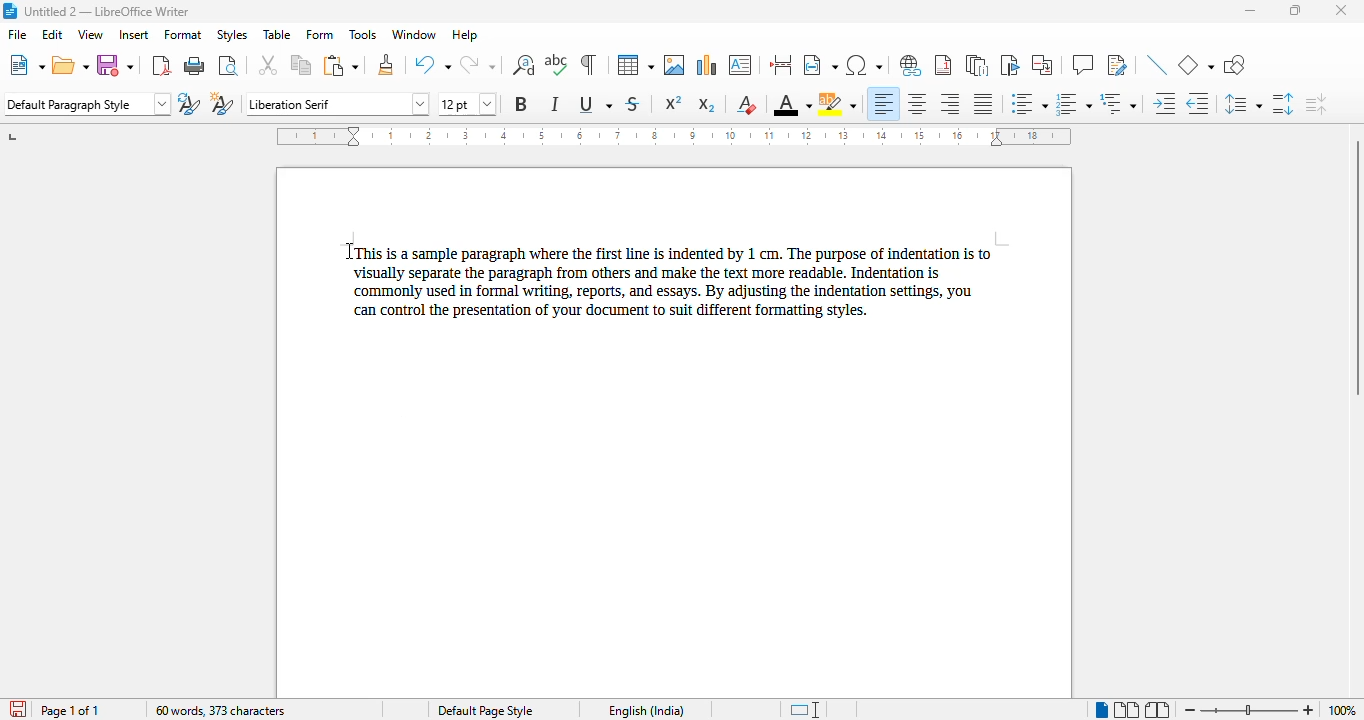 The width and height of the screenshot is (1364, 720). What do you see at coordinates (160, 65) in the screenshot?
I see `export directly as PDF` at bounding box center [160, 65].